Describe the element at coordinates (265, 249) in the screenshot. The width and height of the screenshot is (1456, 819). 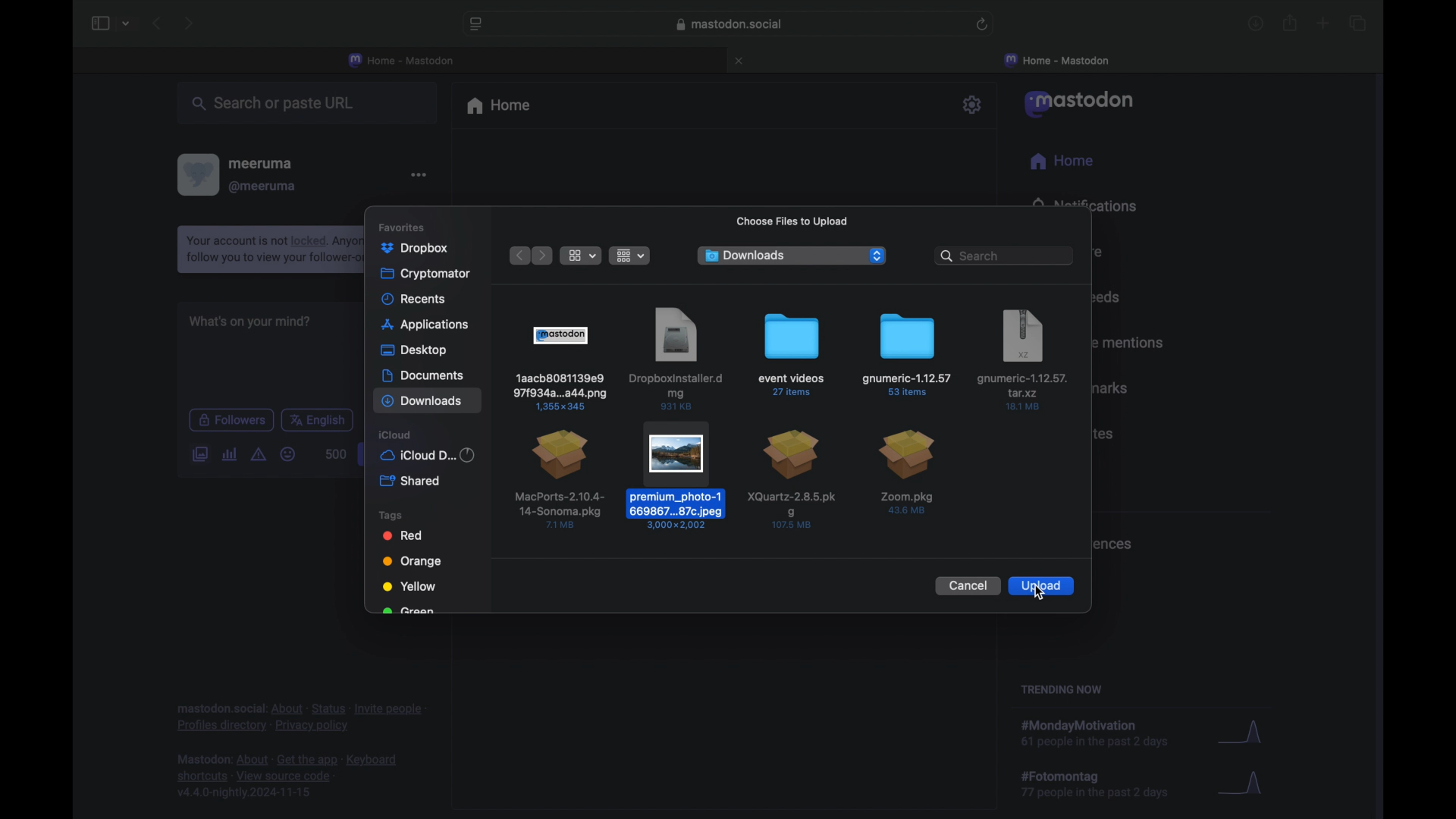
I see `notification` at that location.